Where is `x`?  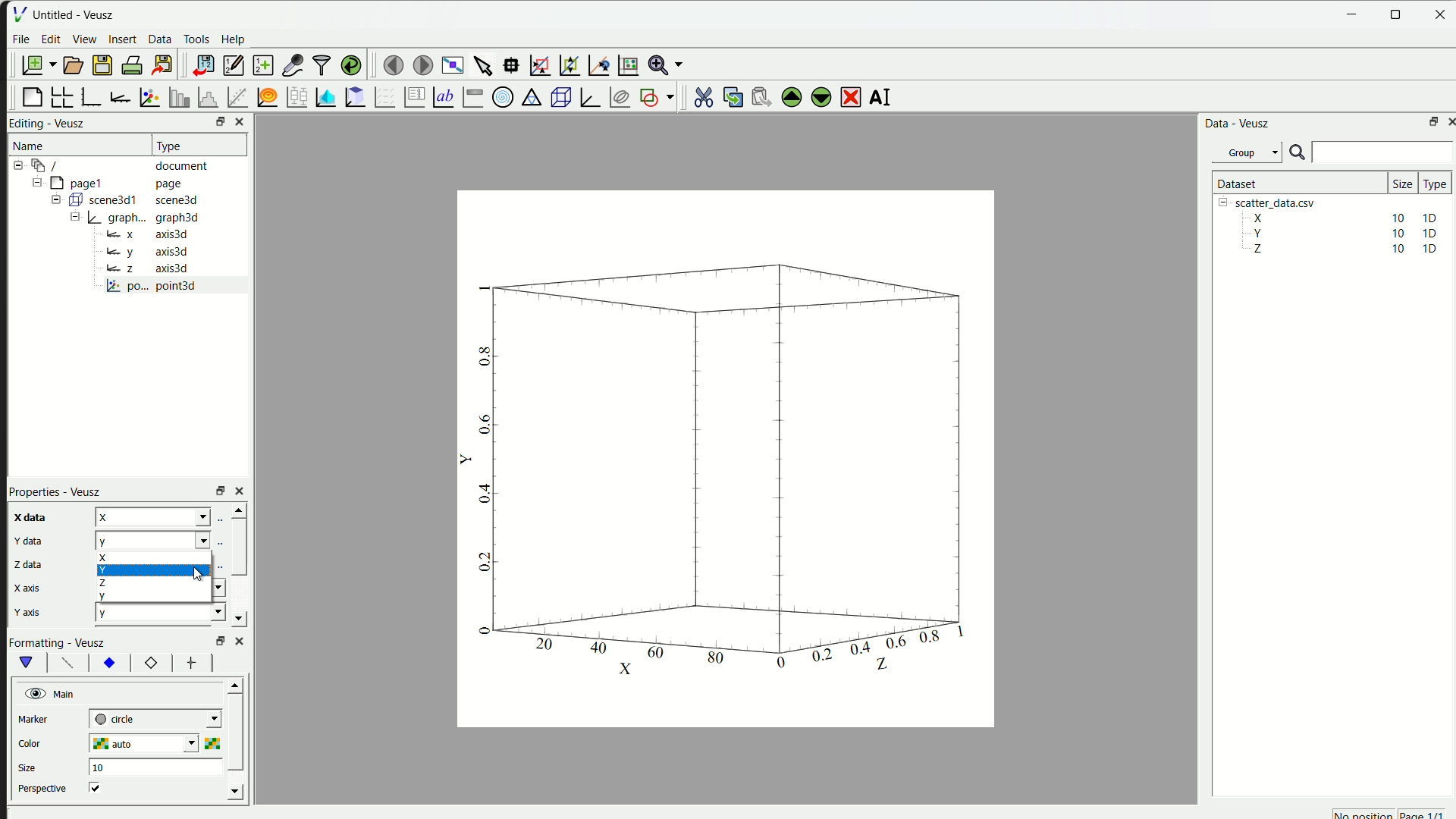 x is located at coordinates (161, 591).